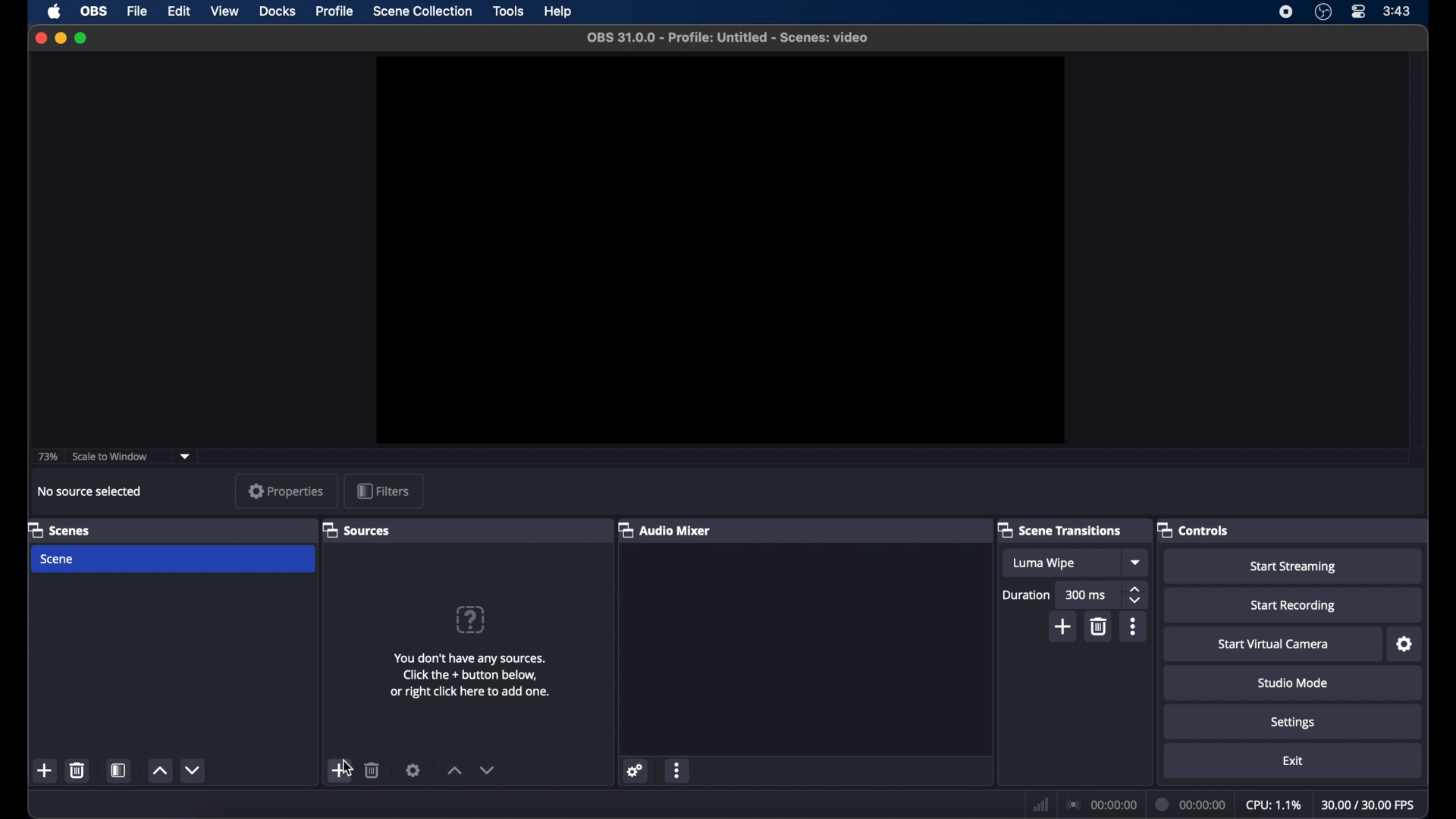 The height and width of the screenshot is (819, 1456). Describe the element at coordinates (1293, 606) in the screenshot. I see `start recording` at that location.